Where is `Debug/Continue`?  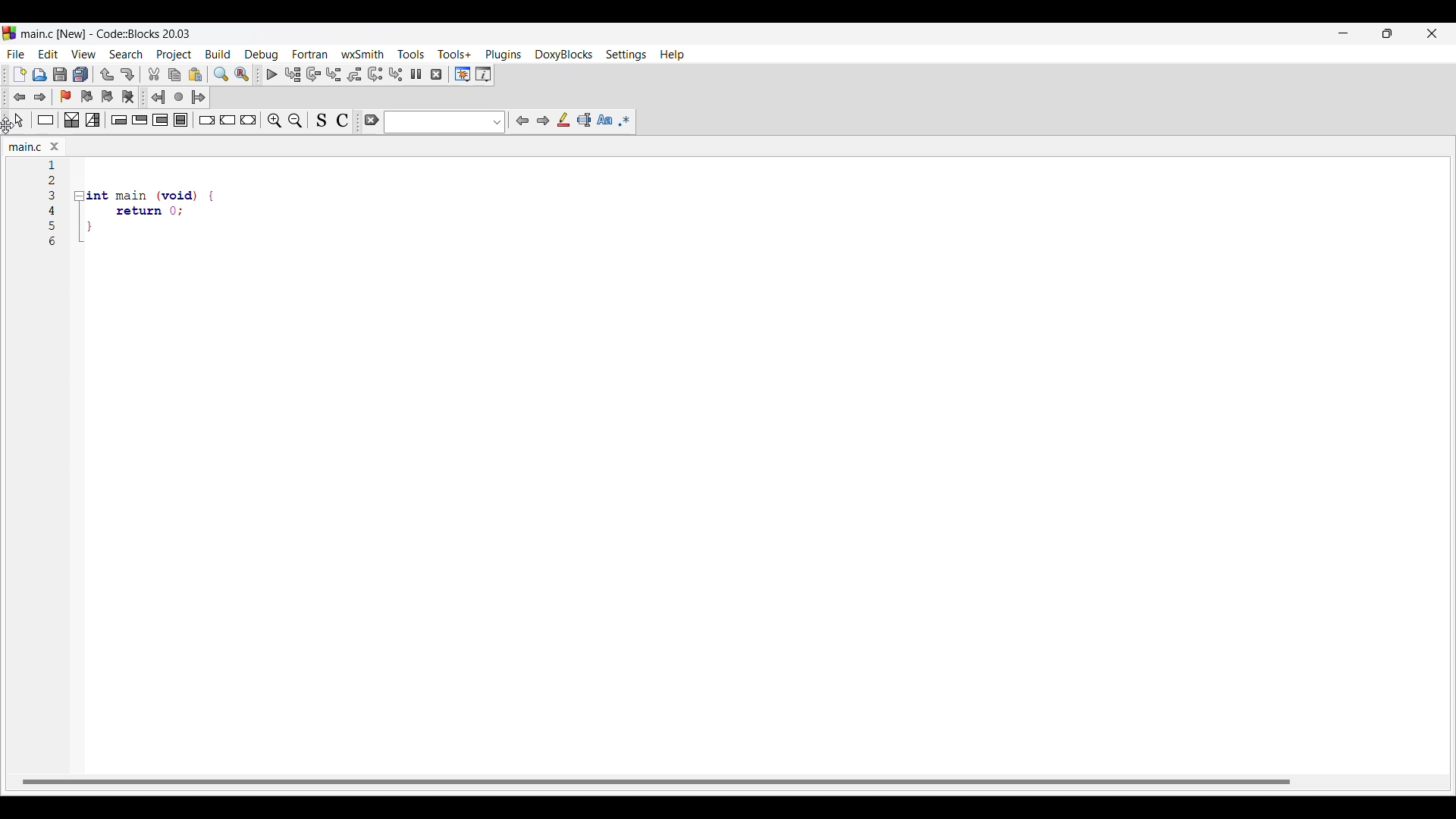
Debug/Continue is located at coordinates (272, 74).